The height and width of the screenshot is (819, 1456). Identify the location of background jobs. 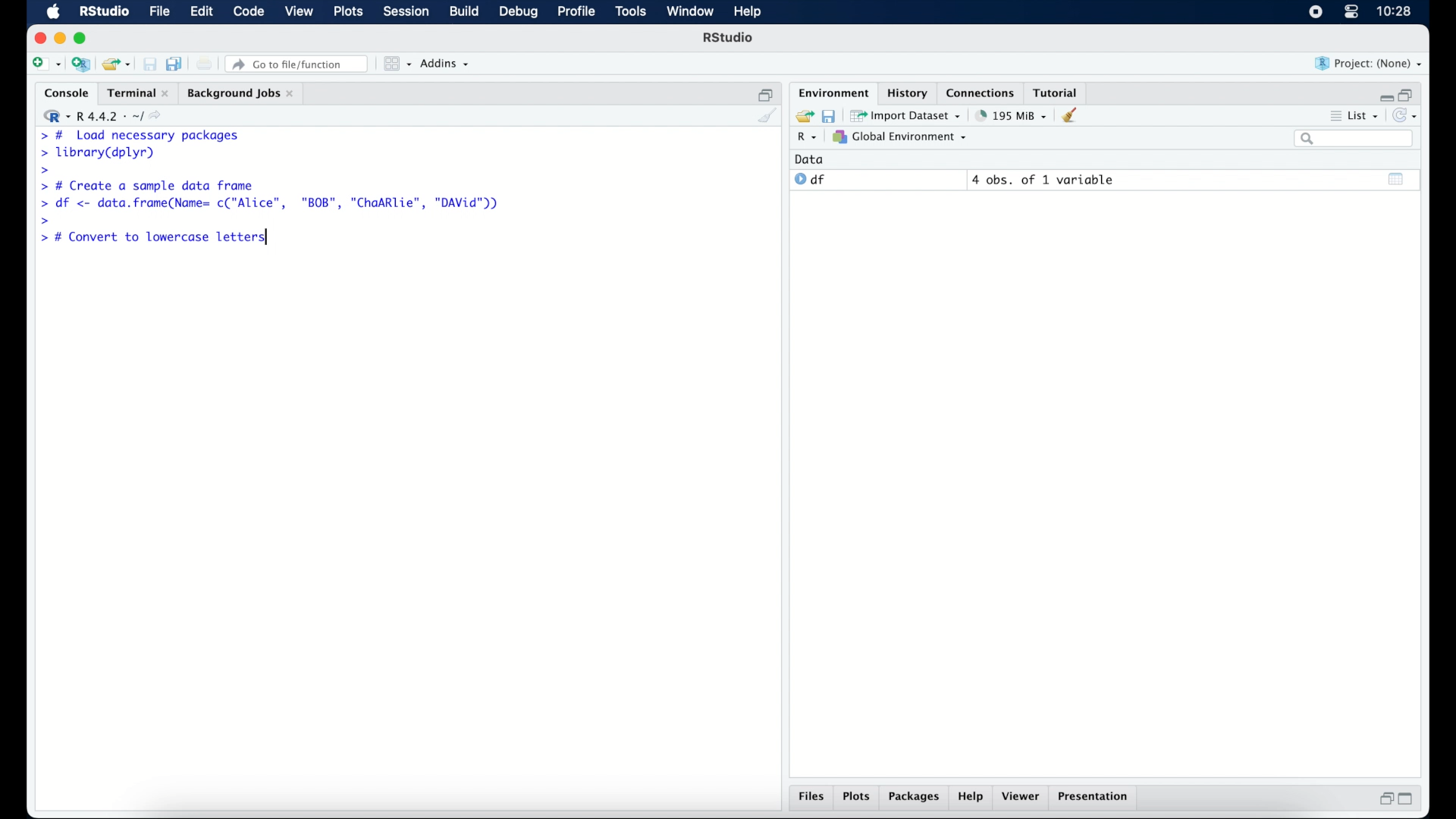
(240, 93).